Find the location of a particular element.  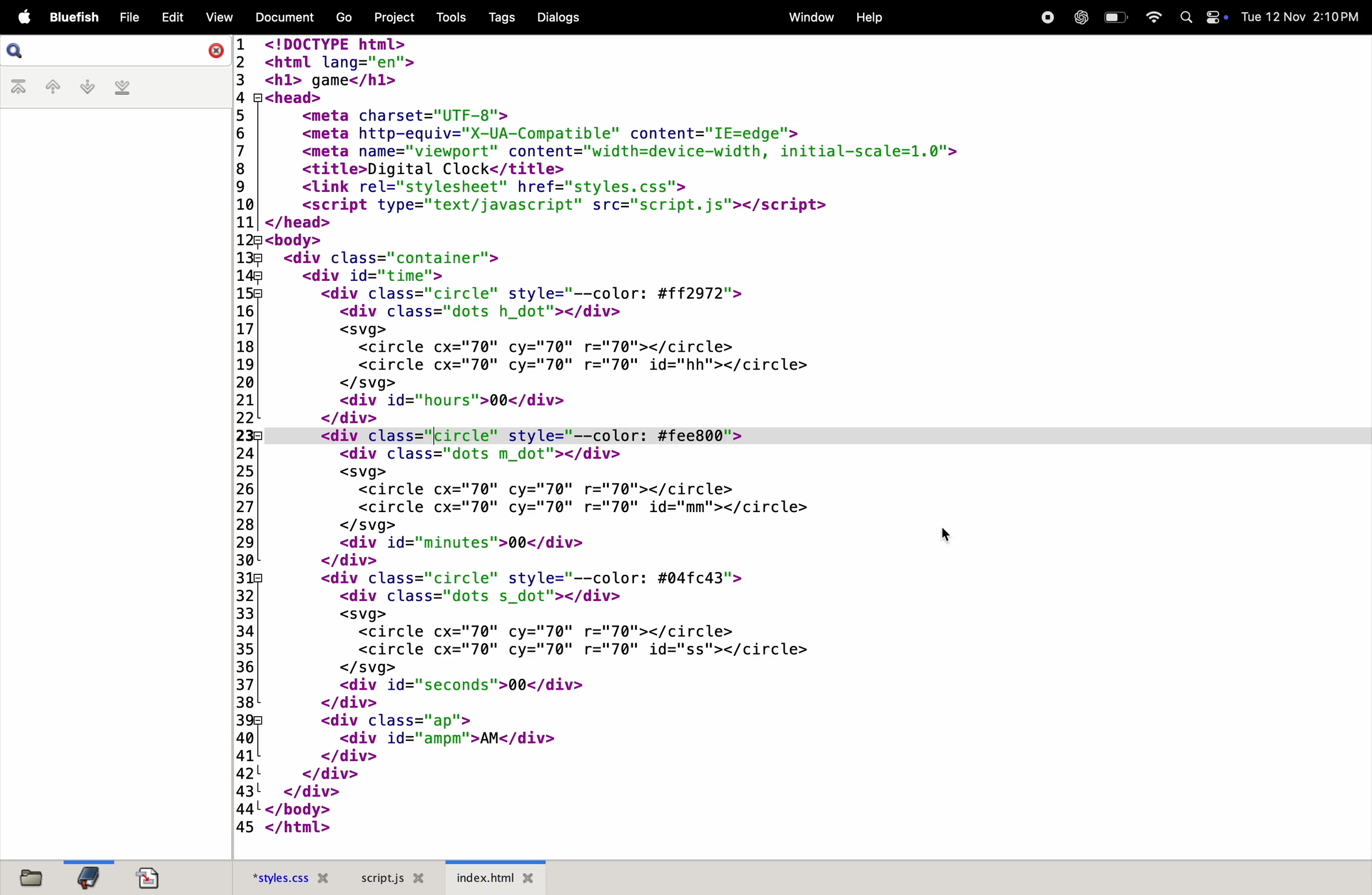

wifi is located at coordinates (1155, 18).